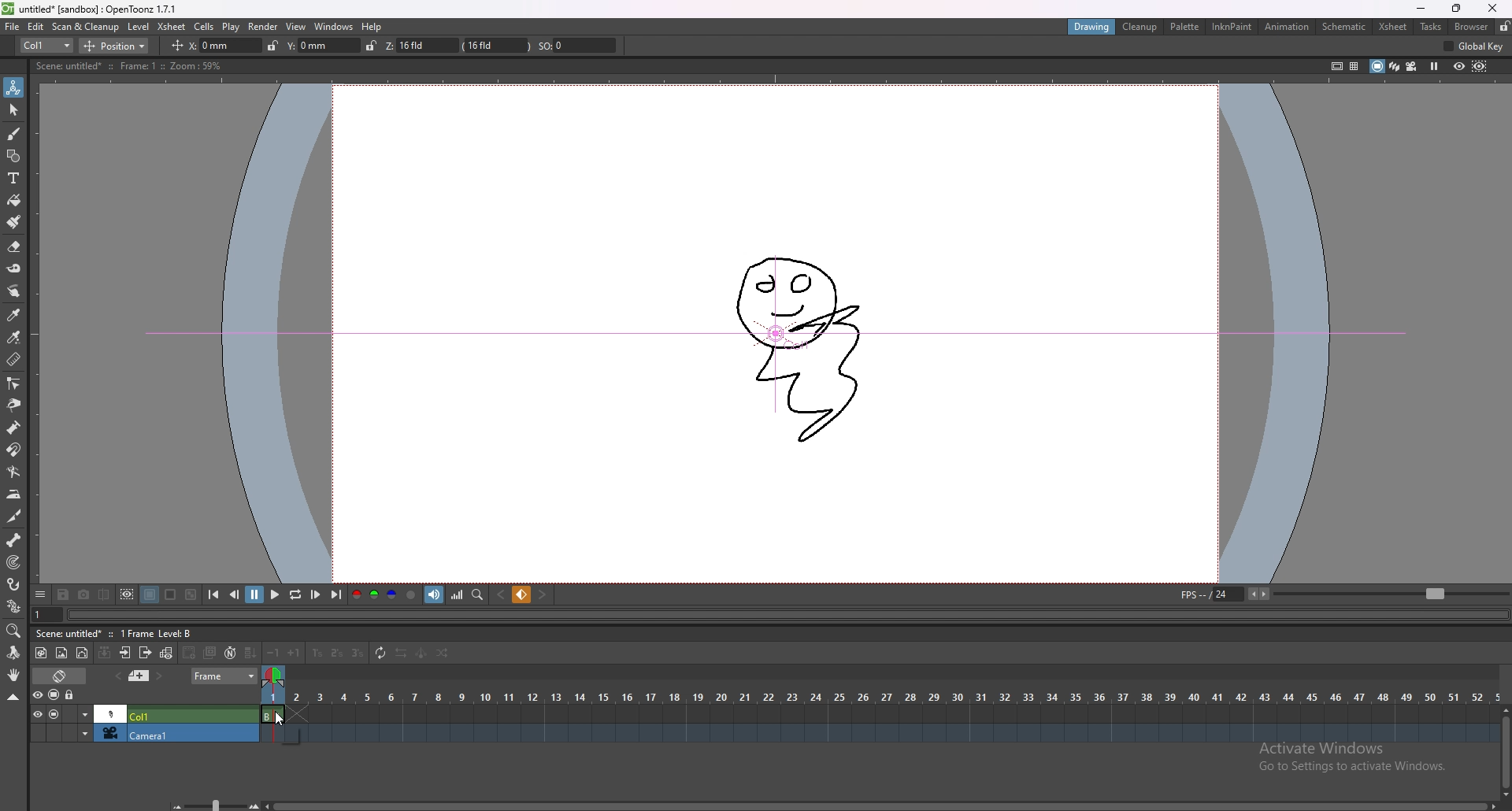  I want to click on hand, so click(14, 675).